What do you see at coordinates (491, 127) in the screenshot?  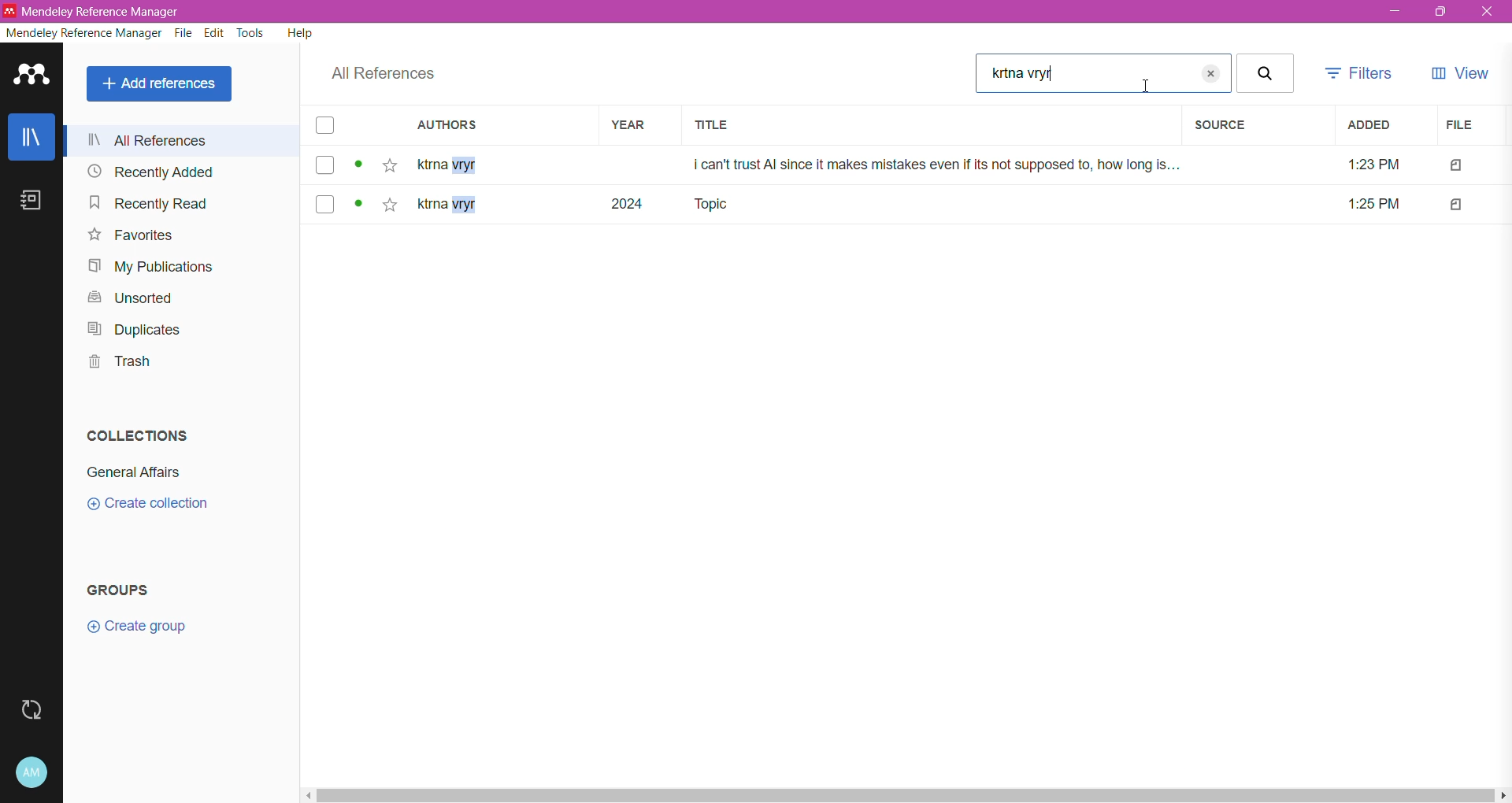 I see `Authors` at bounding box center [491, 127].